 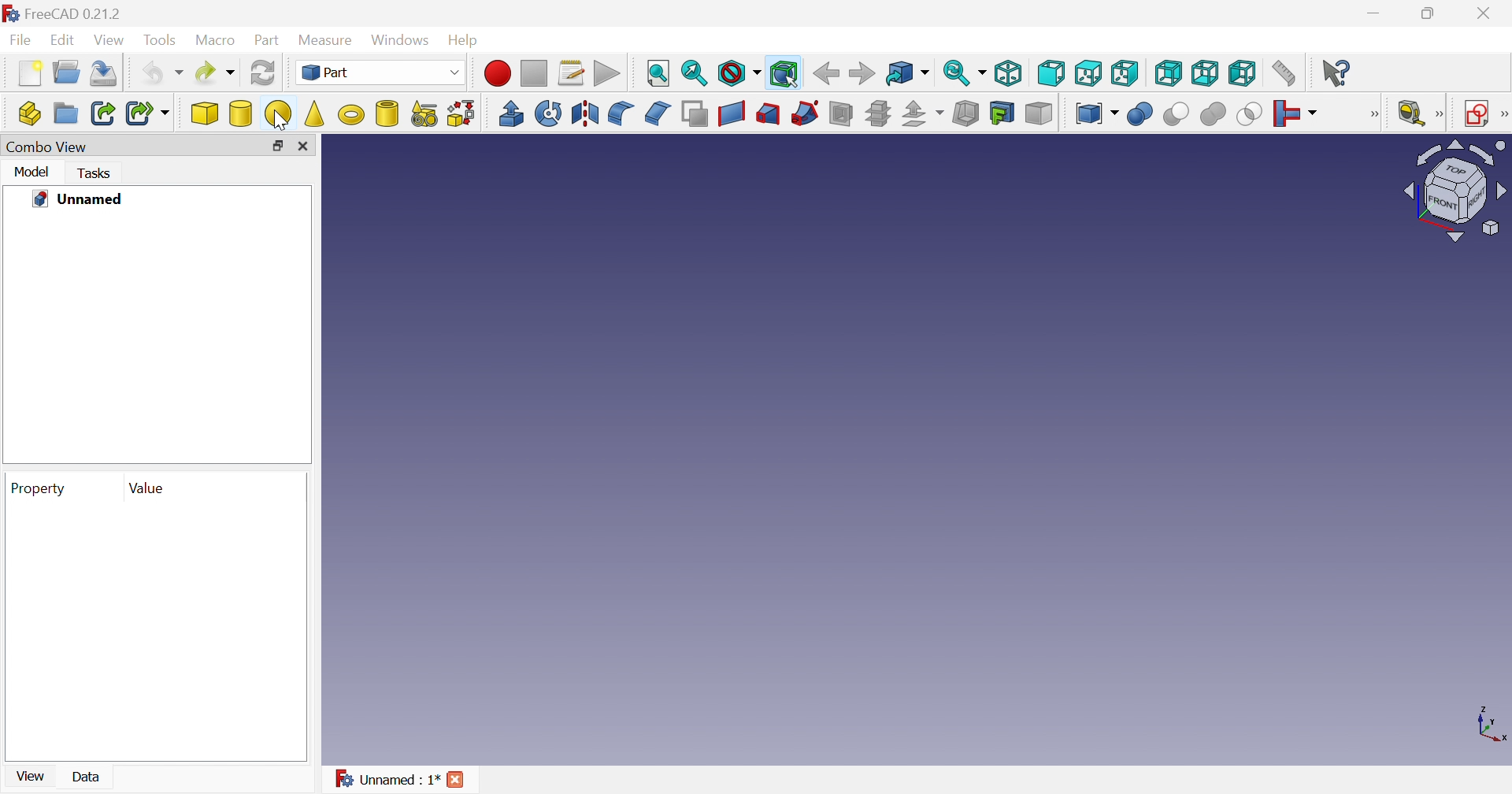 I want to click on Refresh, so click(x=262, y=72).